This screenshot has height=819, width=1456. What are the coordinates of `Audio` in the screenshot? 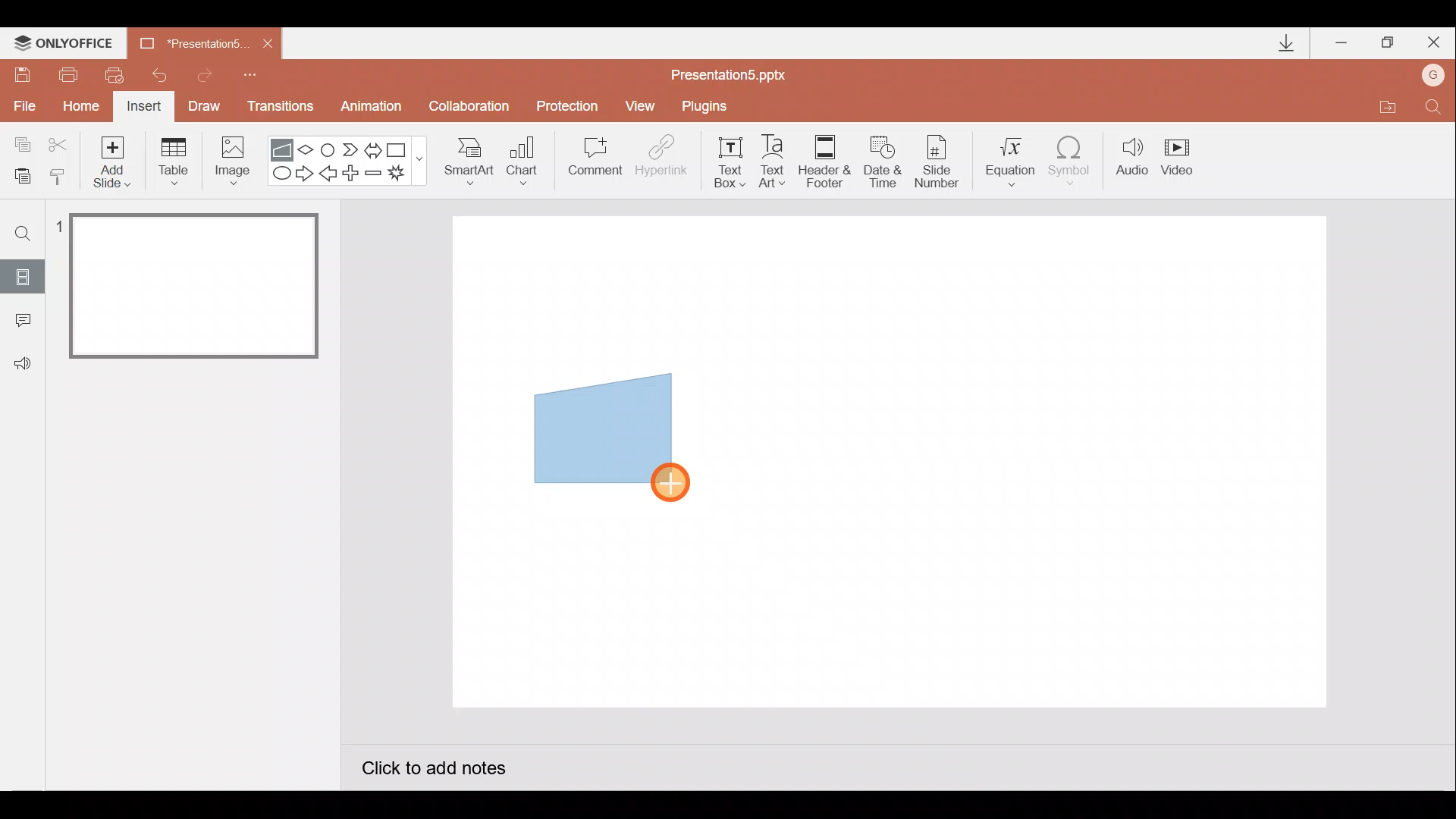 It's located at (1133, 160).